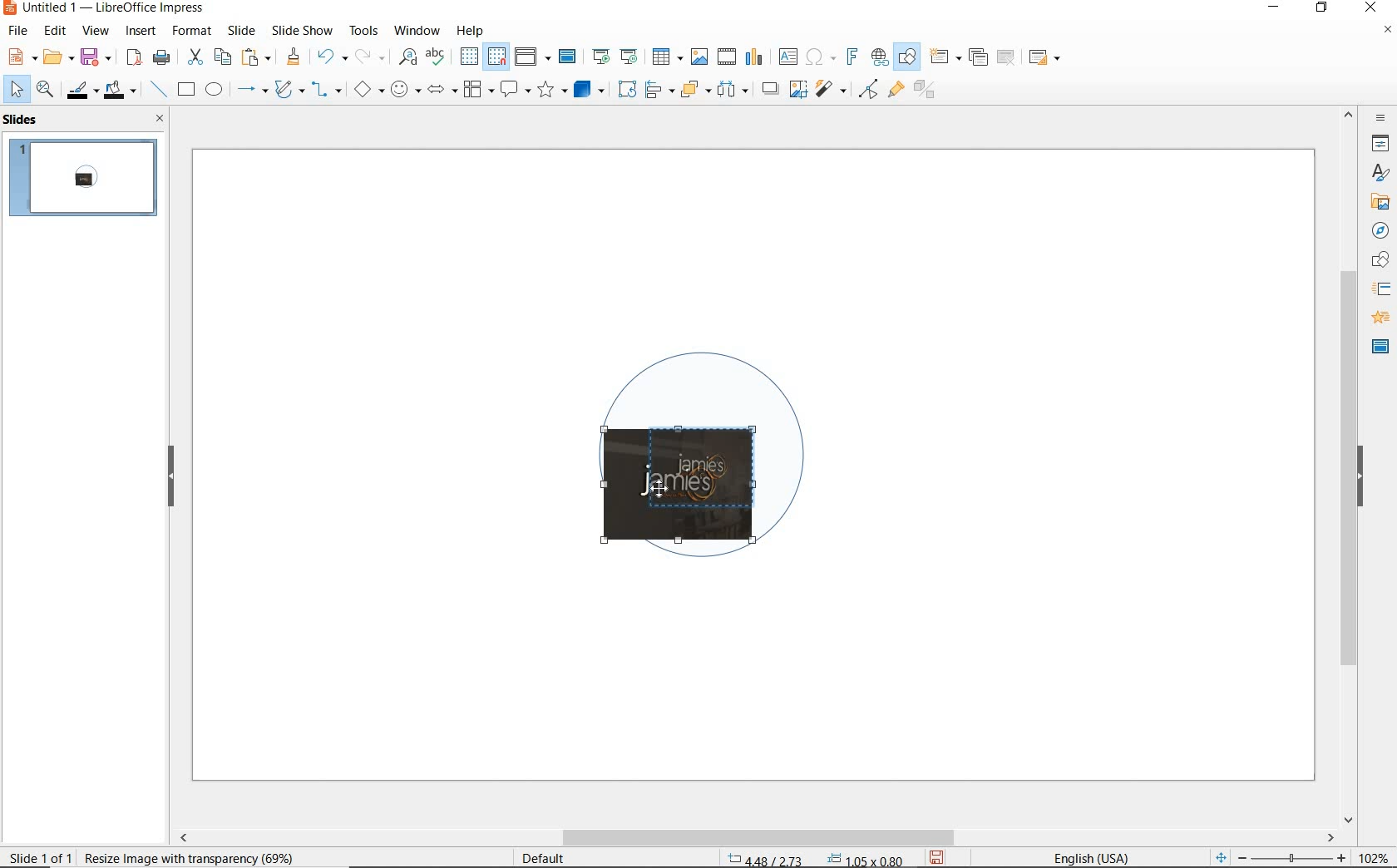 This screenshot has width=1397, height=868. I want to click on cut, so click(193, 57).